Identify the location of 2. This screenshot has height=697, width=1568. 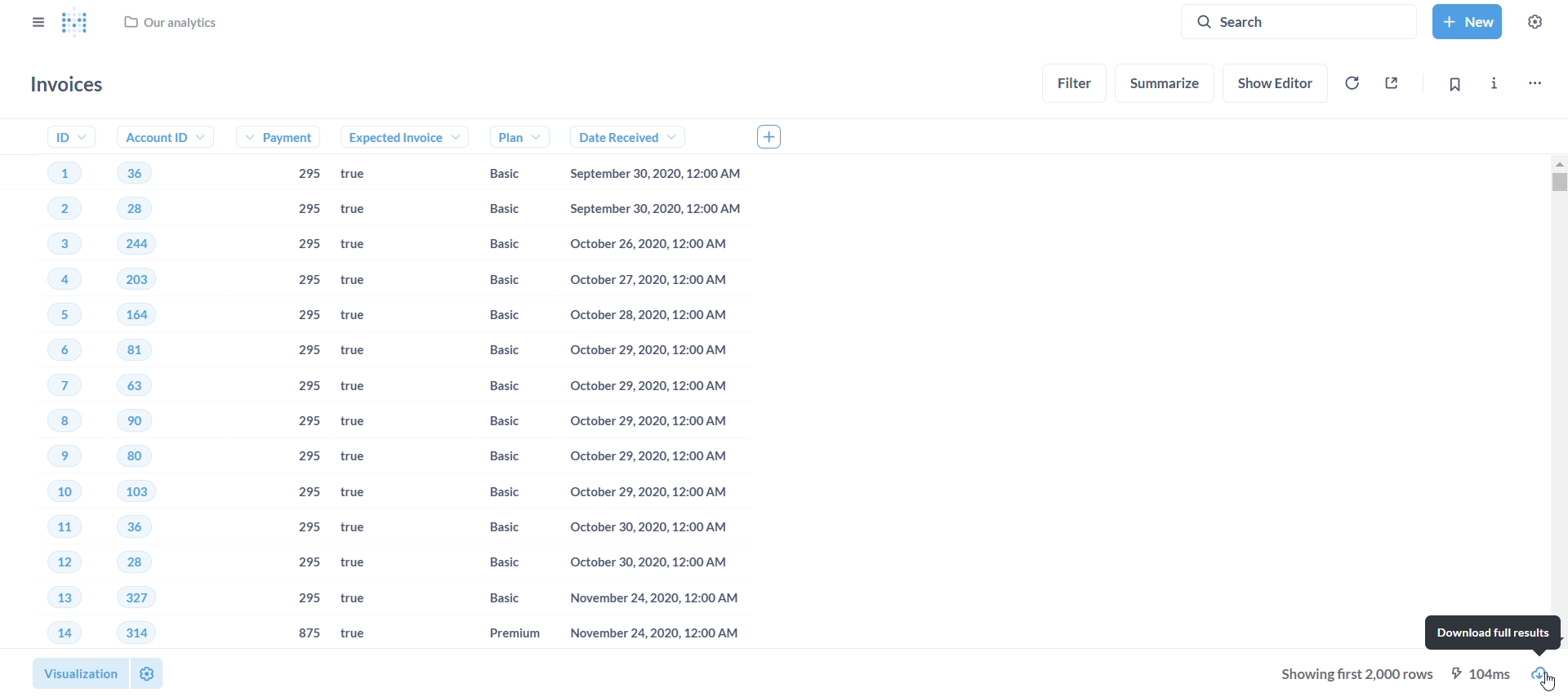
(52, 211).